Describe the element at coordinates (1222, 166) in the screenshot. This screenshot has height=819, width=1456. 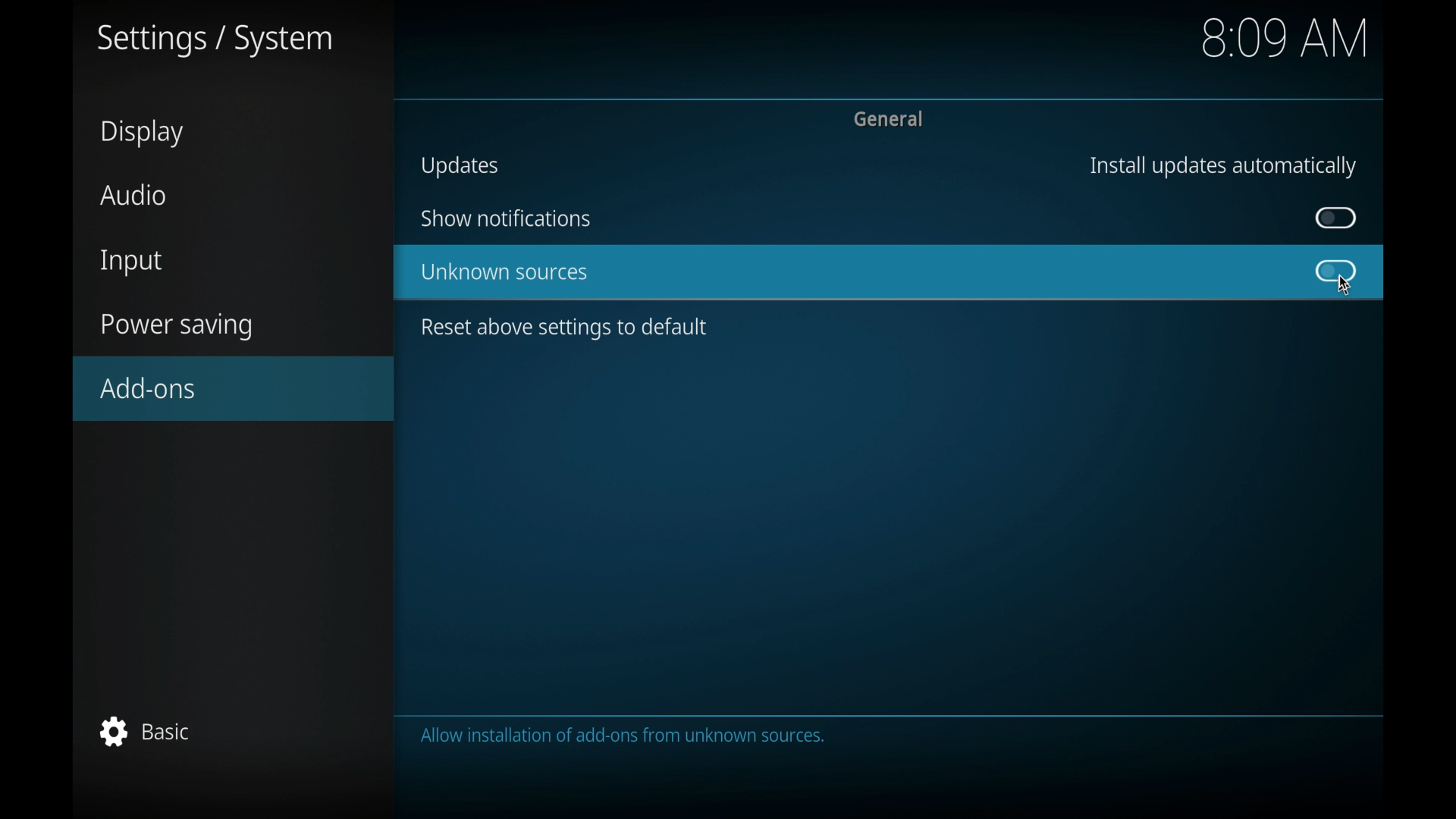
I see `install updates automatically` at that location.